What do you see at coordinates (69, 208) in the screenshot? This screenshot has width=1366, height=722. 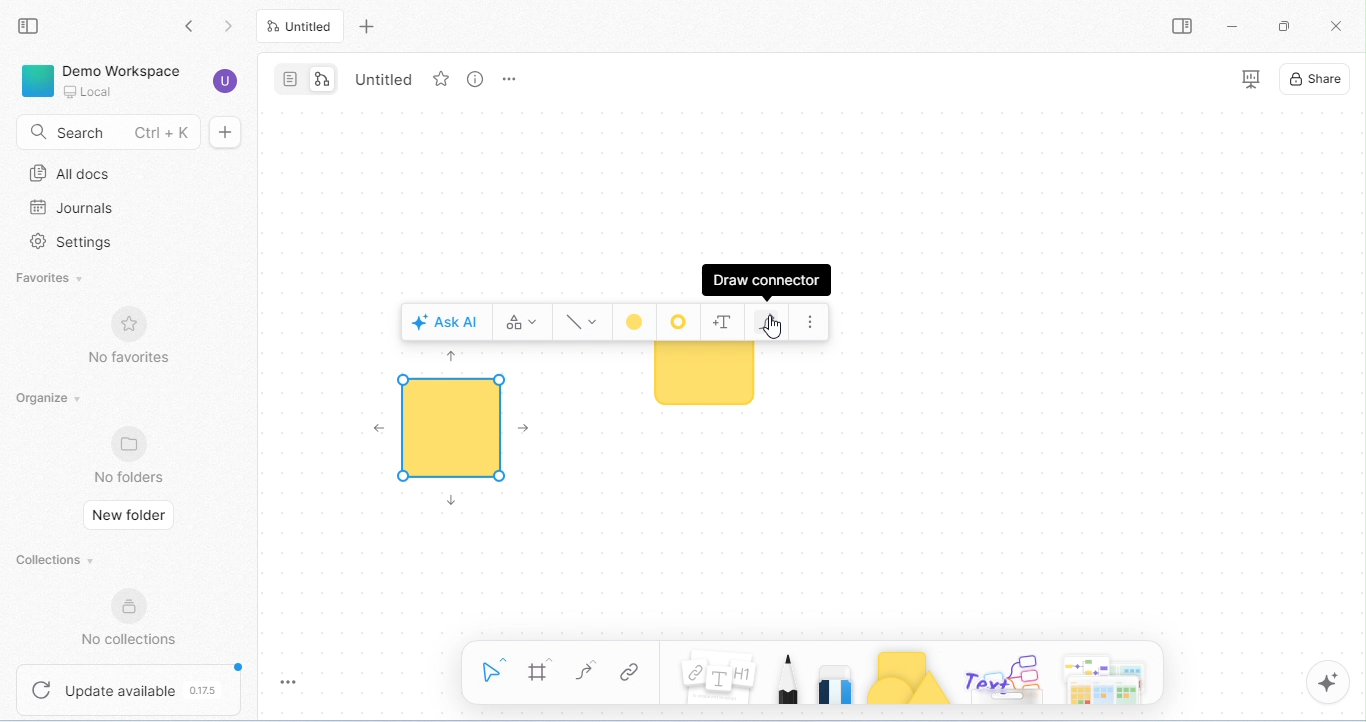 I see `journals` at bounding box center [69, 208].